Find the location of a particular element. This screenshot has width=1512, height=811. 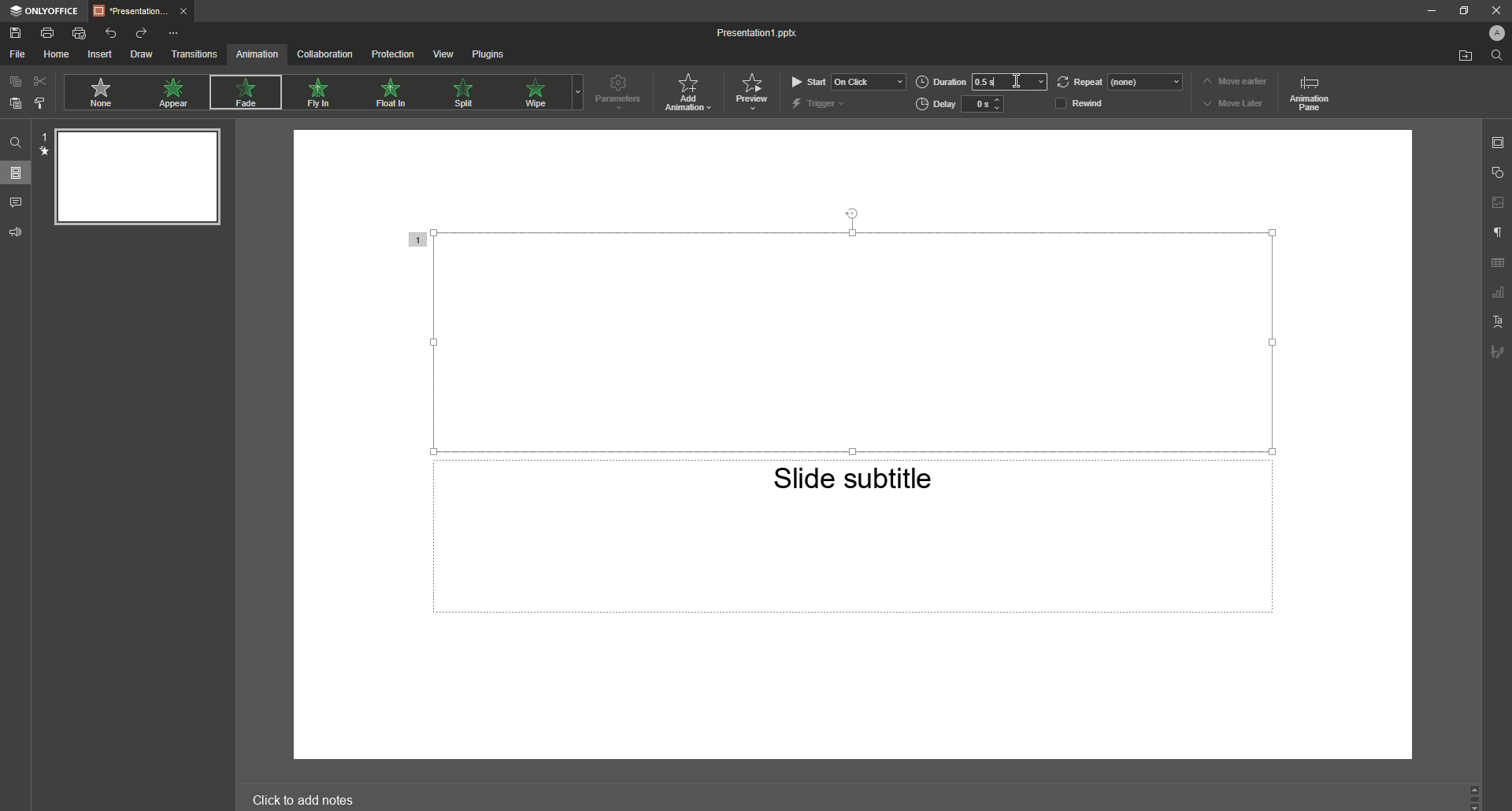

Collaboration is located at coordinates (326, 54).